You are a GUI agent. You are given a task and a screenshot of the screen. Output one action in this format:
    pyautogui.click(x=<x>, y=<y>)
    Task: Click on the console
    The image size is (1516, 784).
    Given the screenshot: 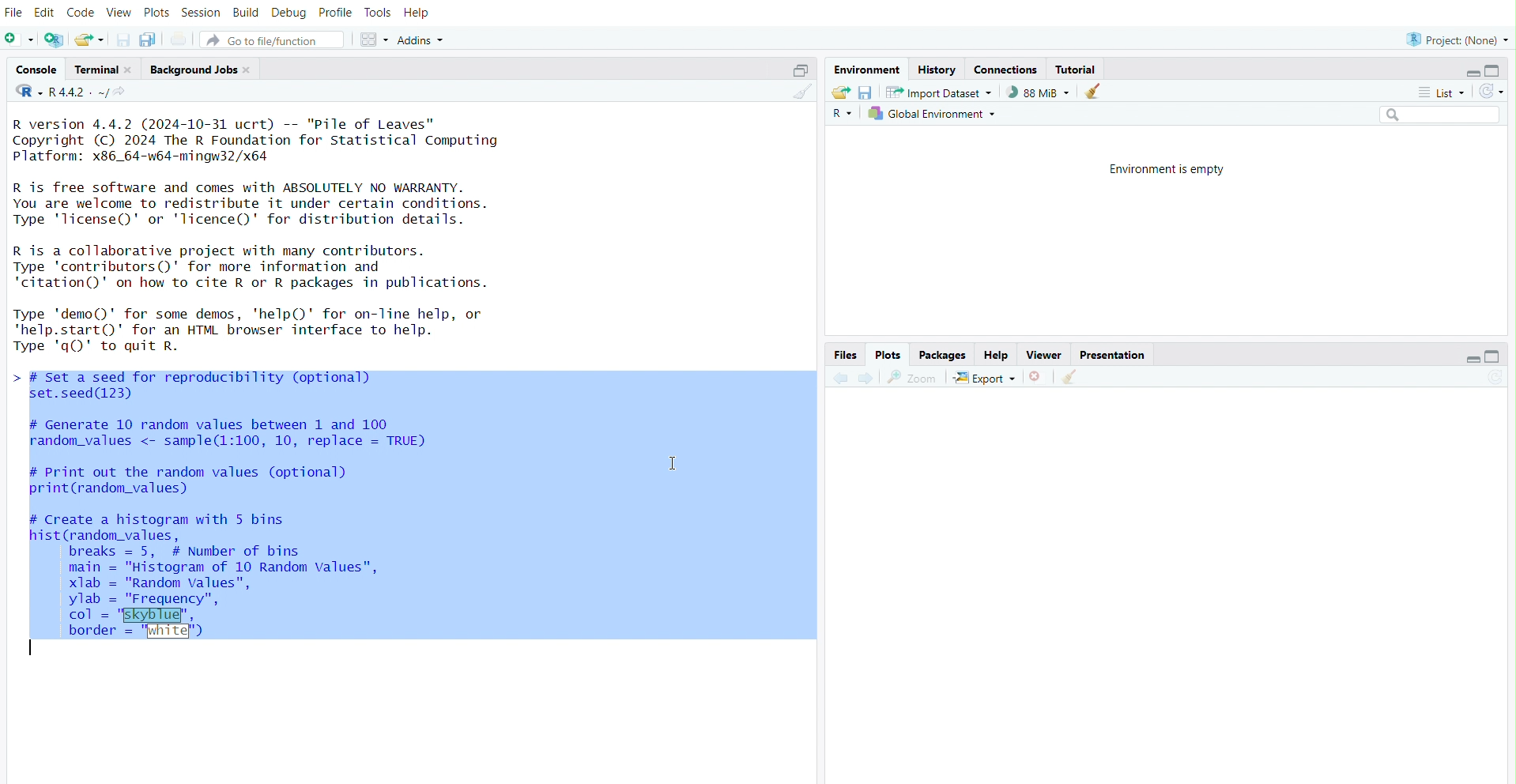 What is the action you would take?
    pyautogui.click(x=30, y=67)
    